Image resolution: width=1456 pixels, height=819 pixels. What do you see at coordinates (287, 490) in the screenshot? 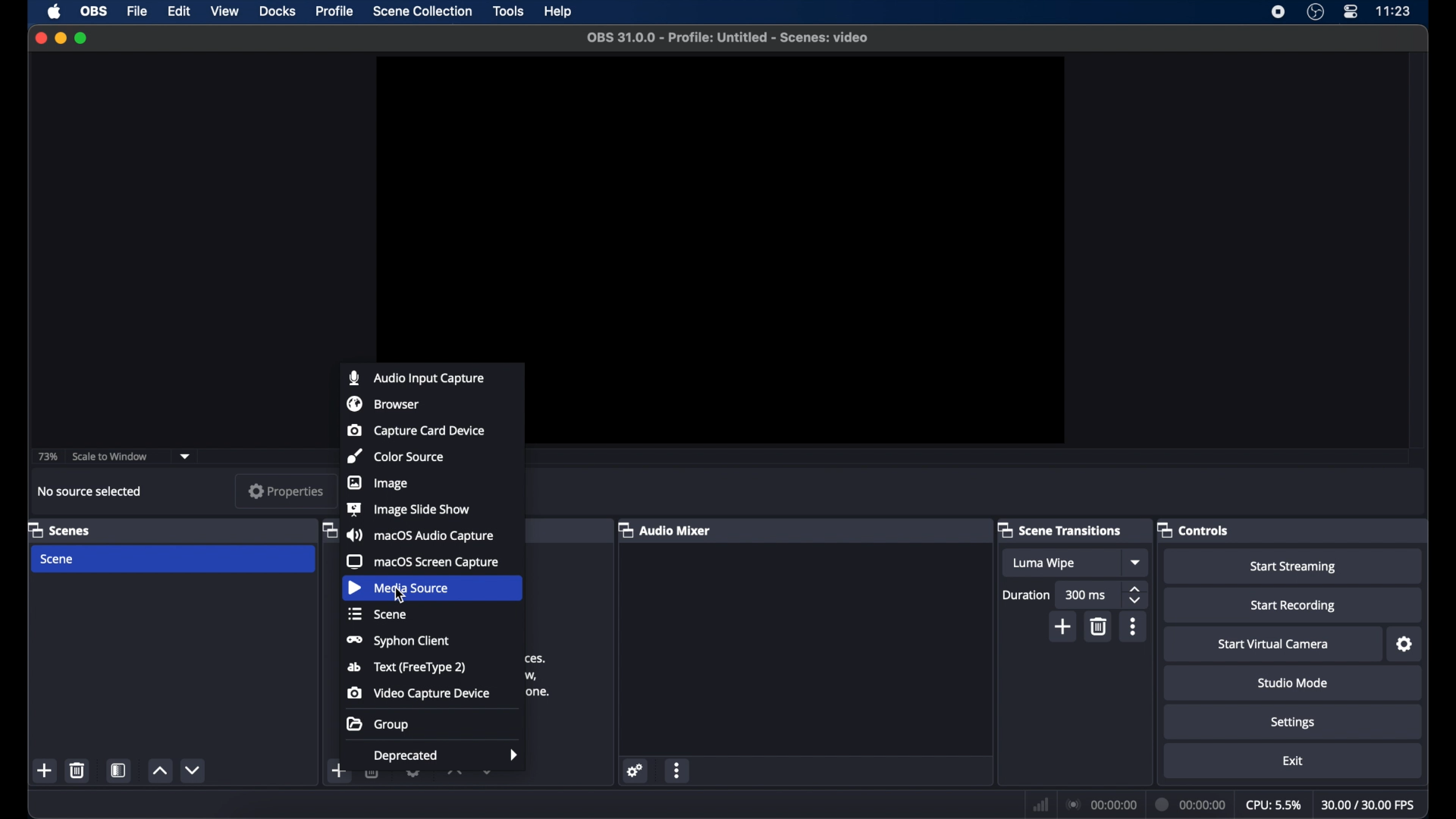
I see `properties` at bounding box center [287, 490].